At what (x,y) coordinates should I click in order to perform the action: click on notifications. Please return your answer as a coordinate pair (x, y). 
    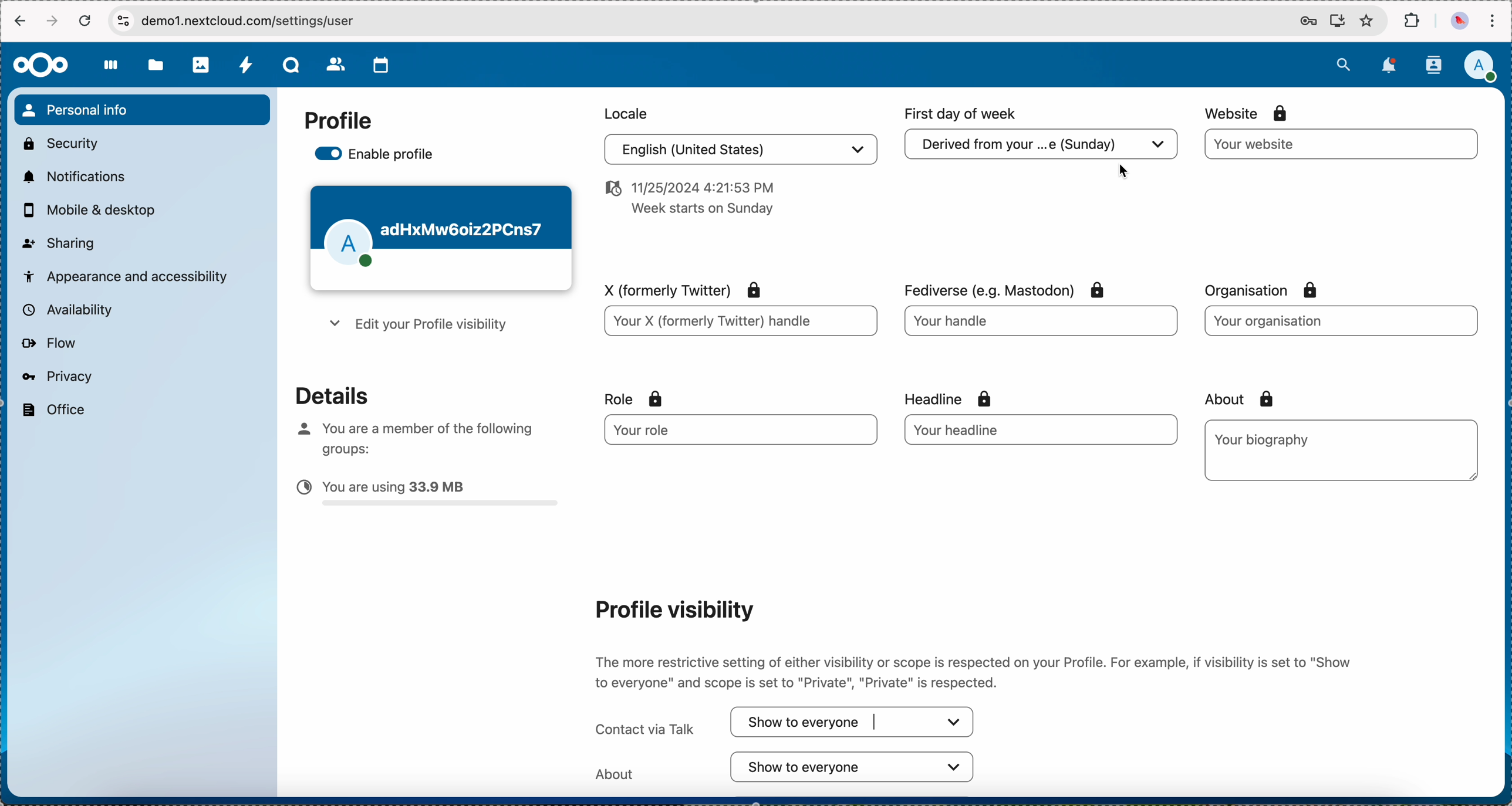
    Looking at the image, I should click on (72, 176).